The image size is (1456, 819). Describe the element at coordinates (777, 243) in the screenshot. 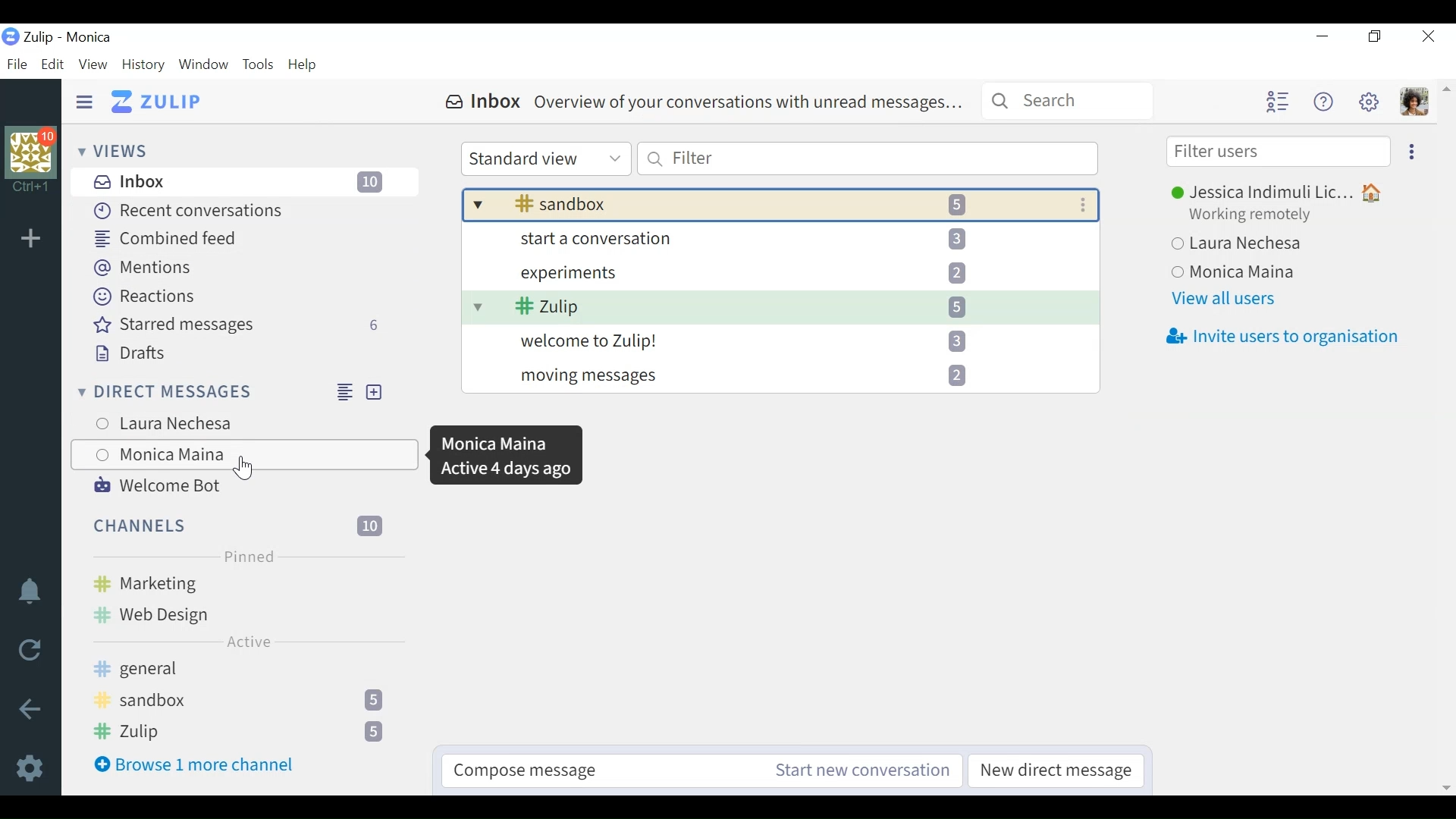

I see `start a conversation` at that location.